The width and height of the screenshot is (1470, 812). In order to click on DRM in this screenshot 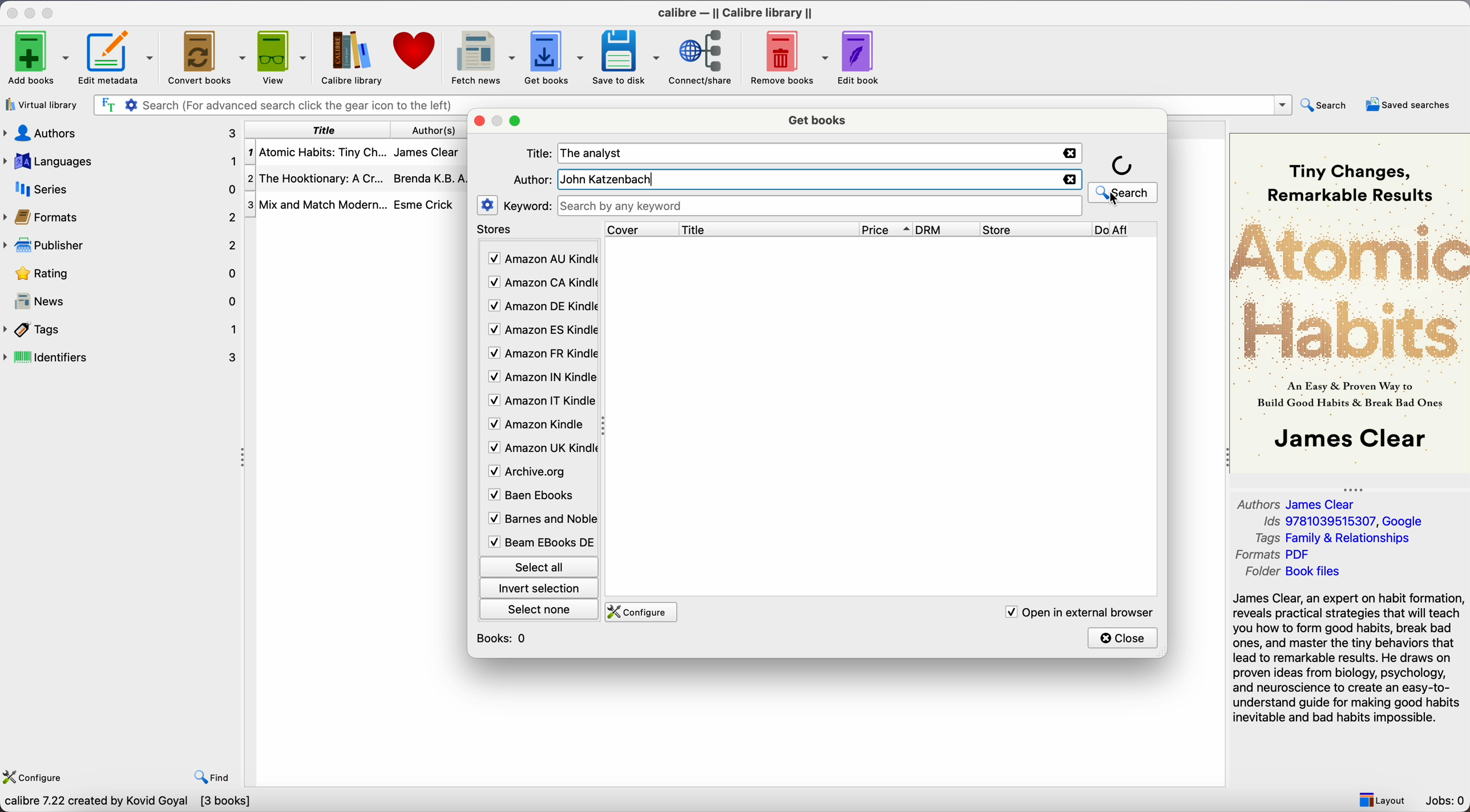, I will do `click(947, 229)`.